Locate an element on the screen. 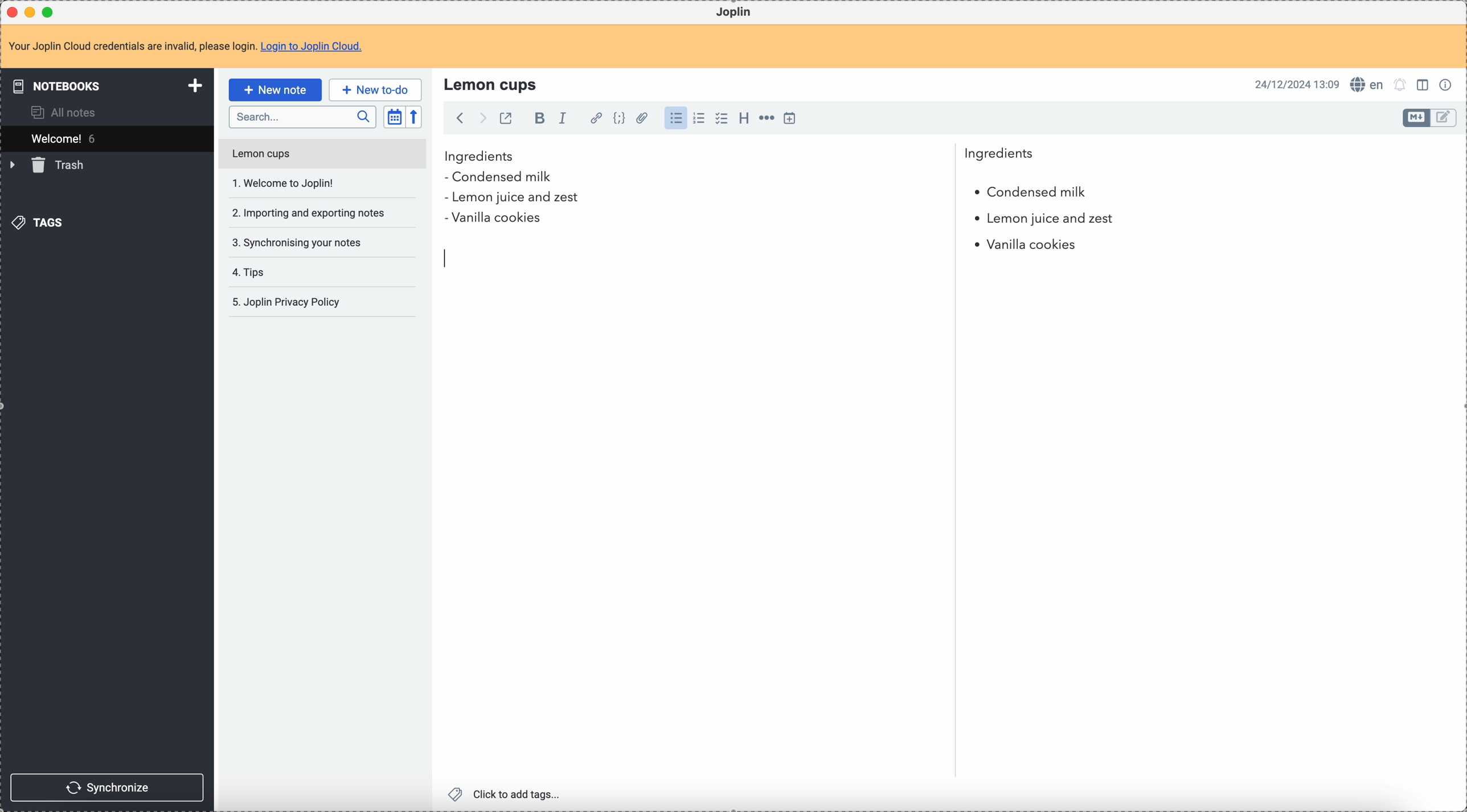 This screenshot has height=812, width=1467. condensed milk is located at coordinates (502, 178).